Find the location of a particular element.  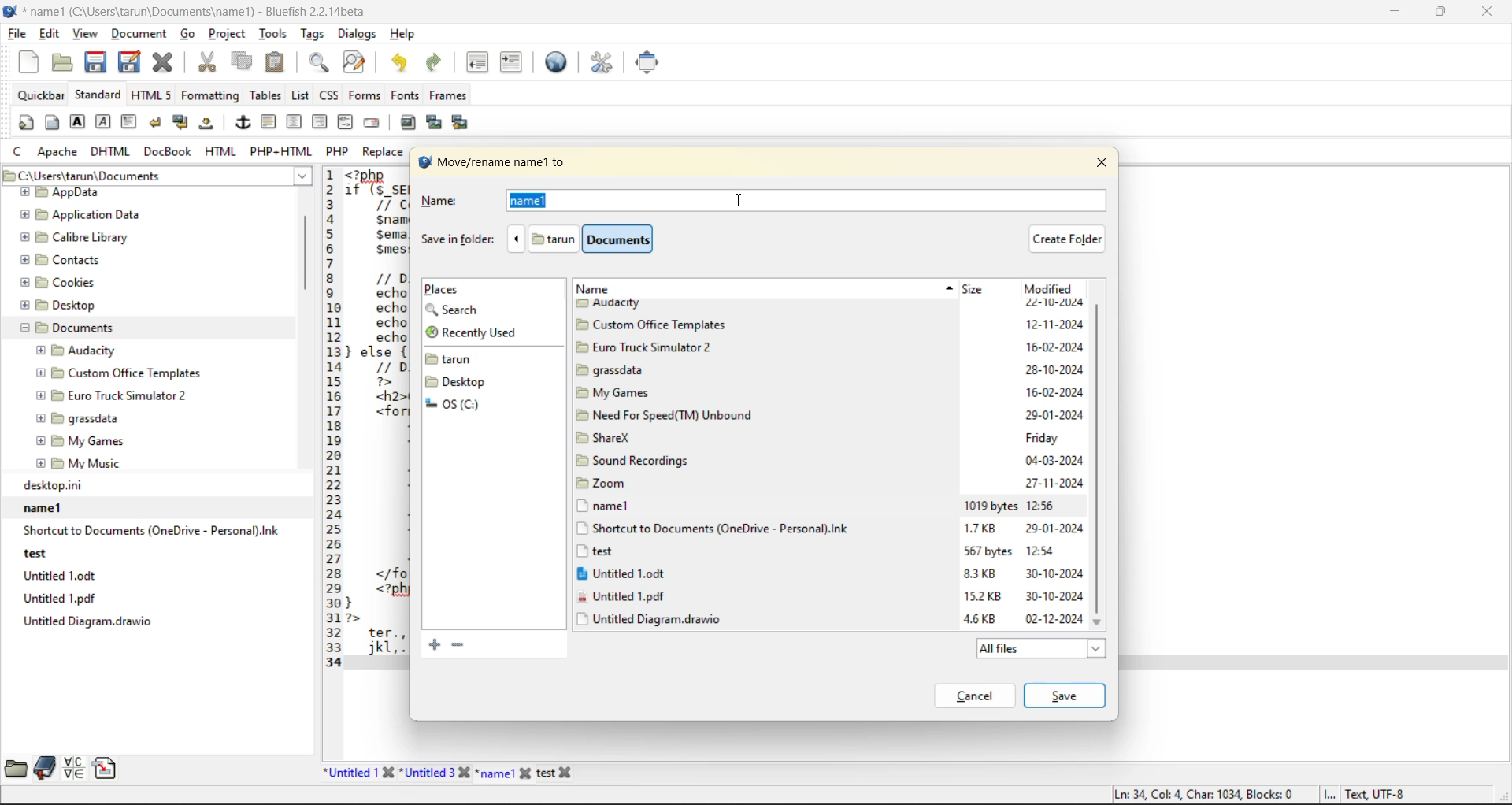

cut is located at coordinates (207, 62).